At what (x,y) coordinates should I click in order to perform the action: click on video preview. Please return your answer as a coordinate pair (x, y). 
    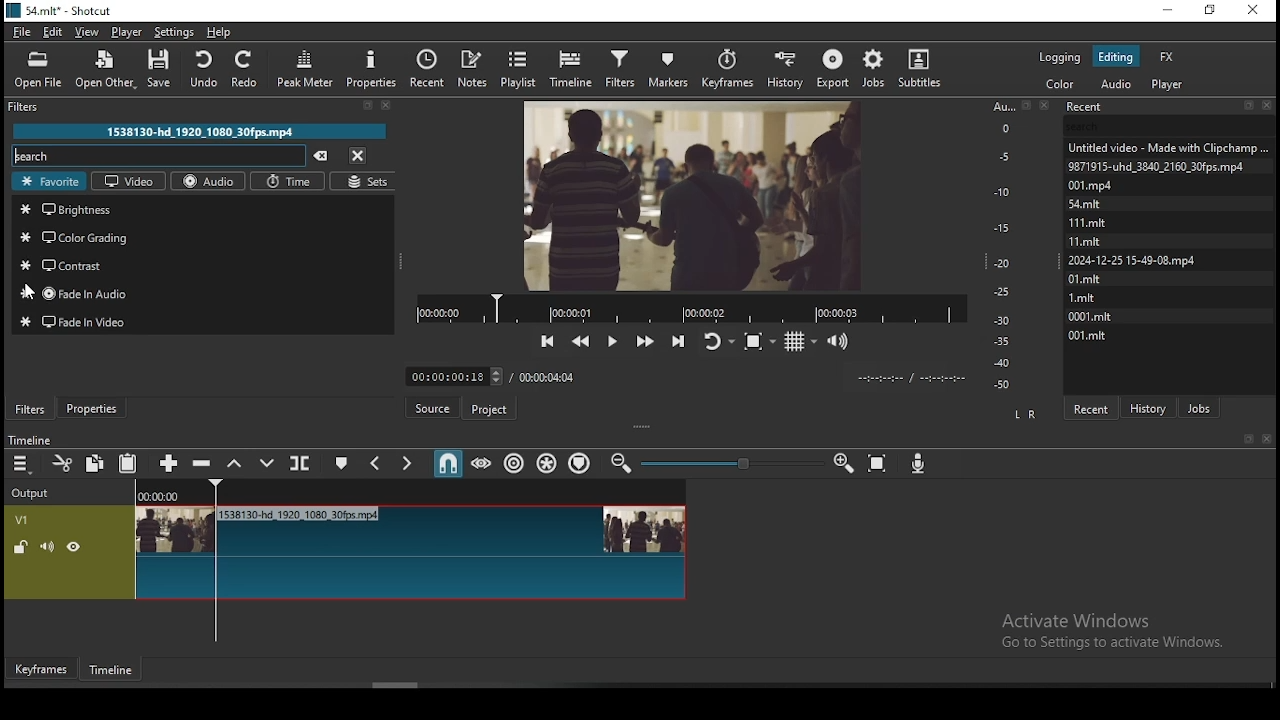
    Looking at the image, I should click on (685, 197).